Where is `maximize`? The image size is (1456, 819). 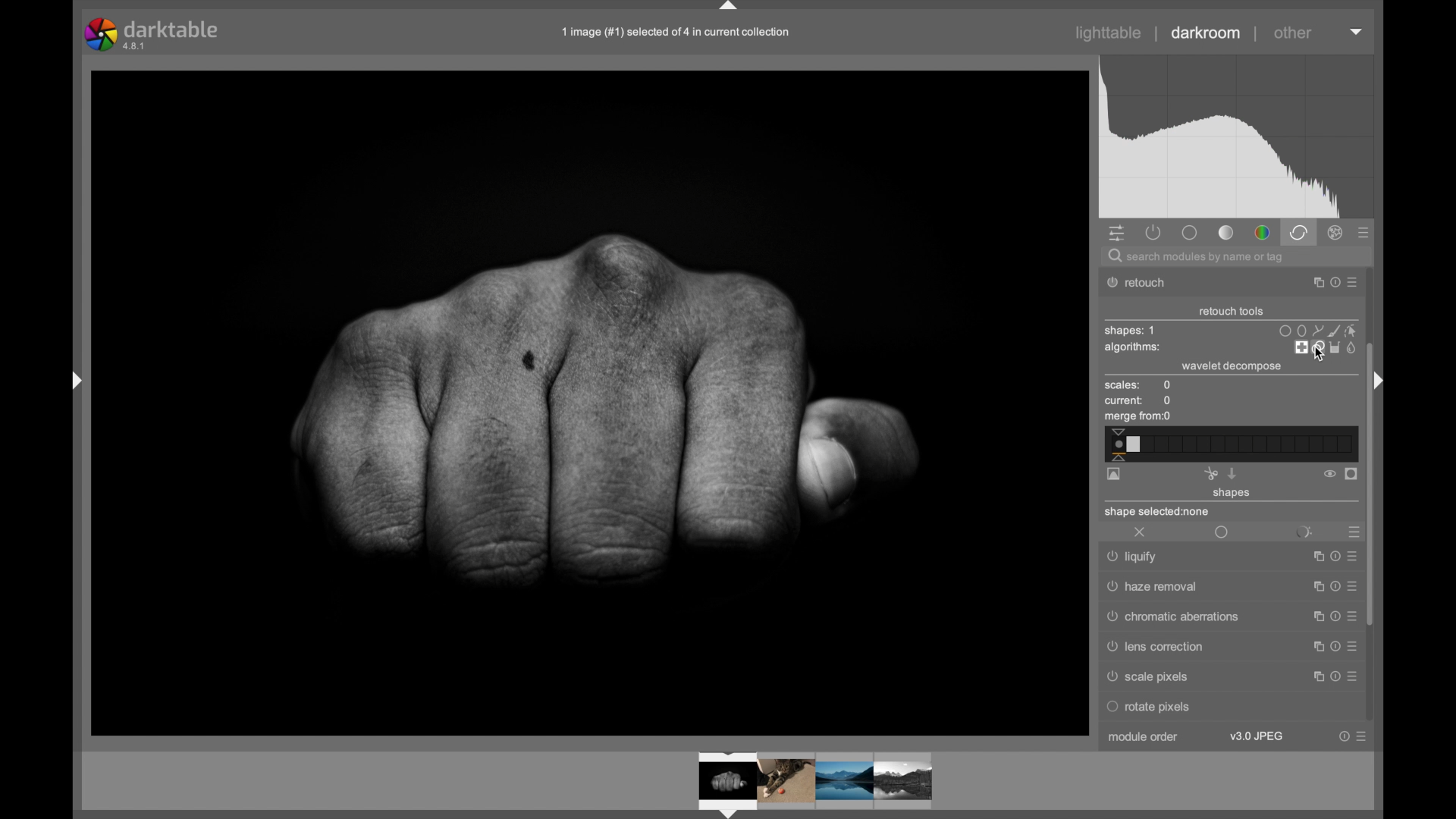 maximize is located at coordinates (1314, 676).